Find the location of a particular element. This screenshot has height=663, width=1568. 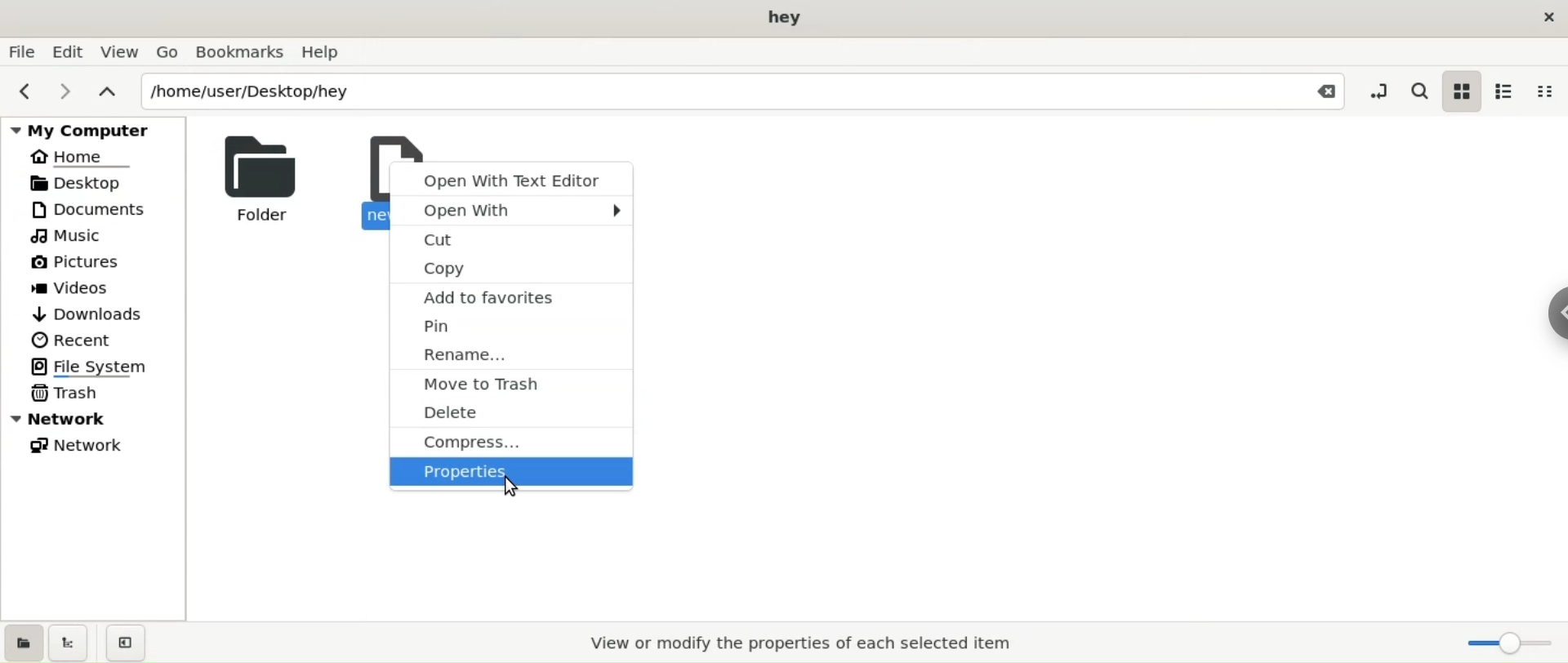

open with is located at coordinates (514, 208).